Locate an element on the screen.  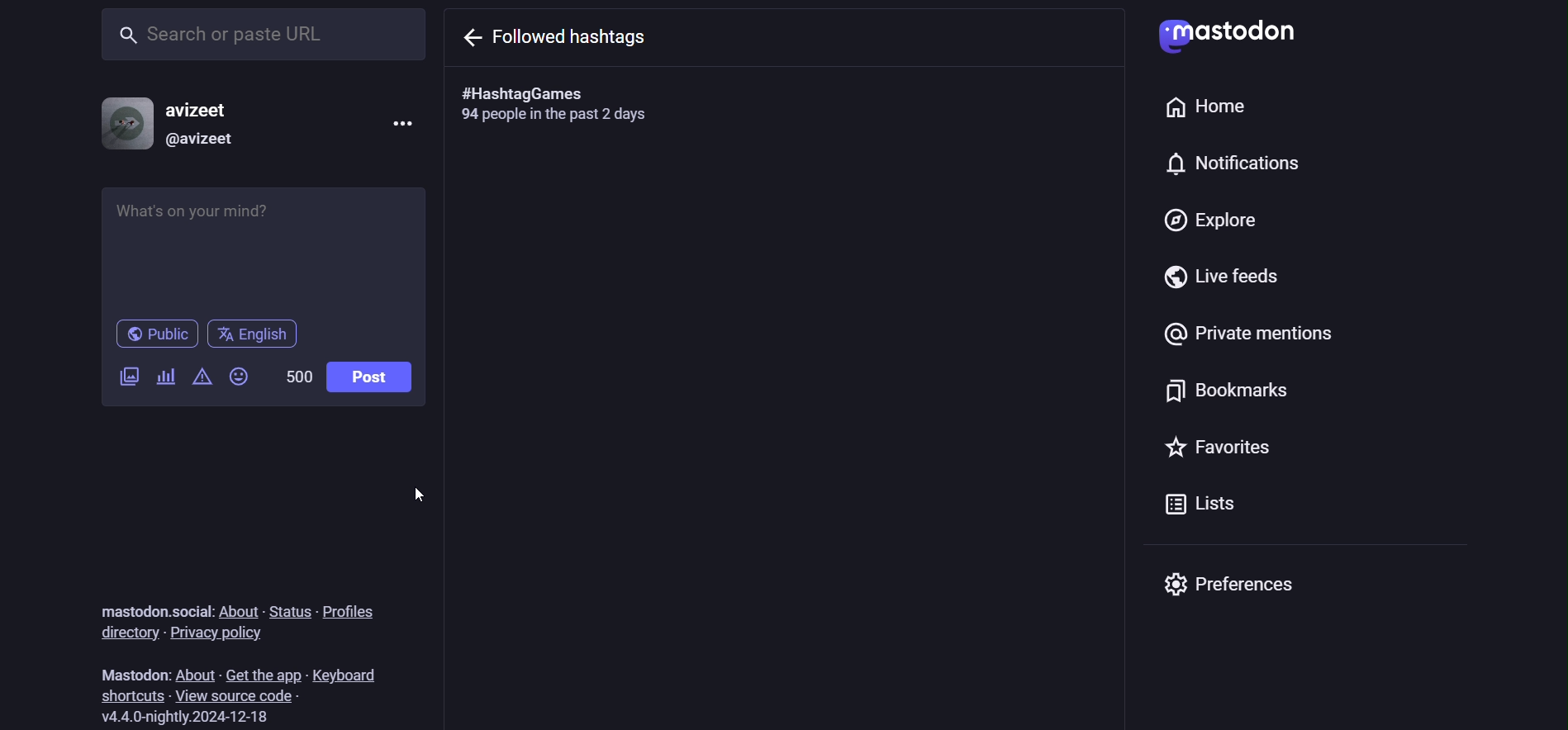
version is located at coordinates (201, 718).